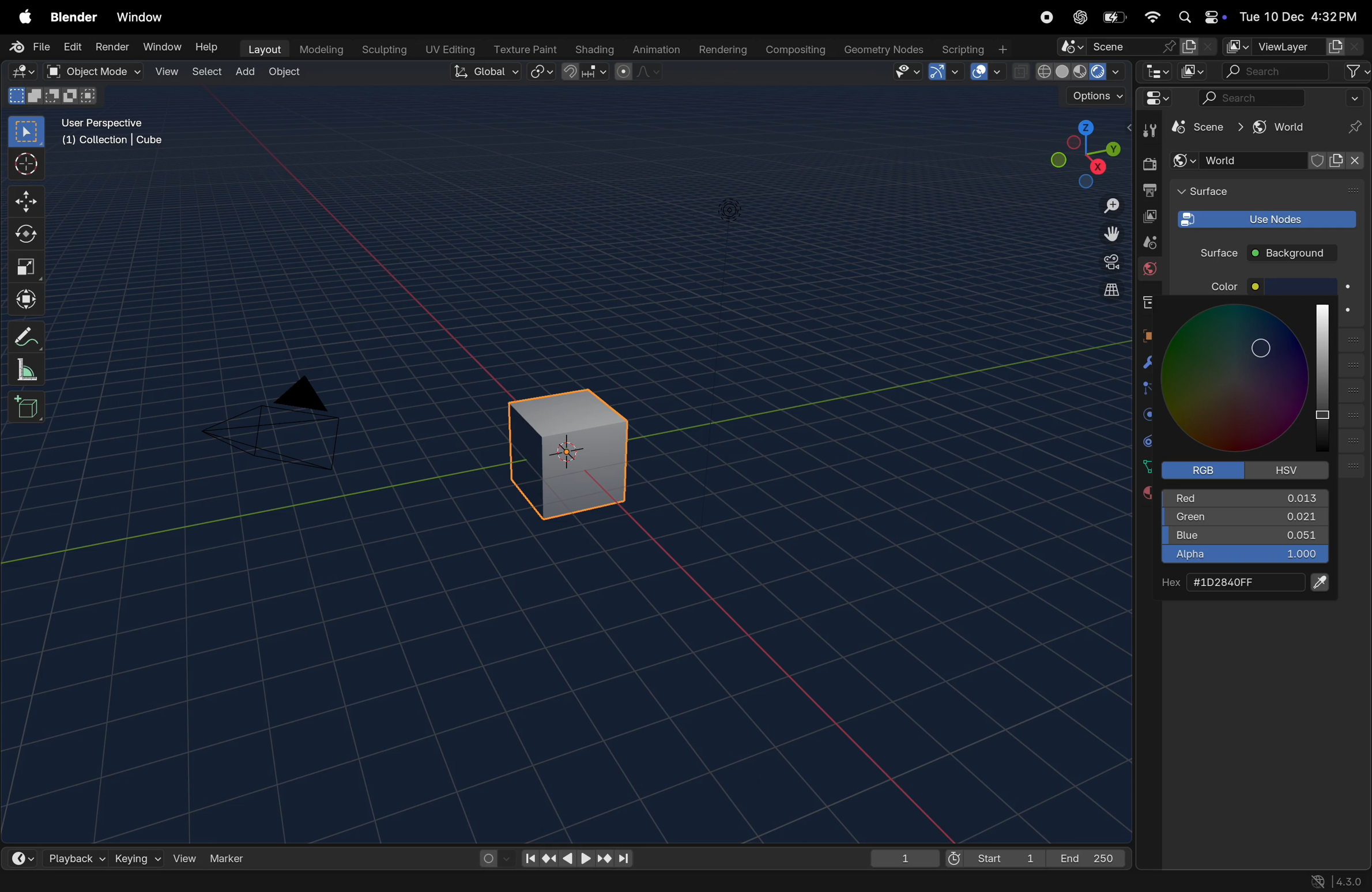 The width and height of the screenshot is (1372, 892). I want to click on Window, so click(161, 47).